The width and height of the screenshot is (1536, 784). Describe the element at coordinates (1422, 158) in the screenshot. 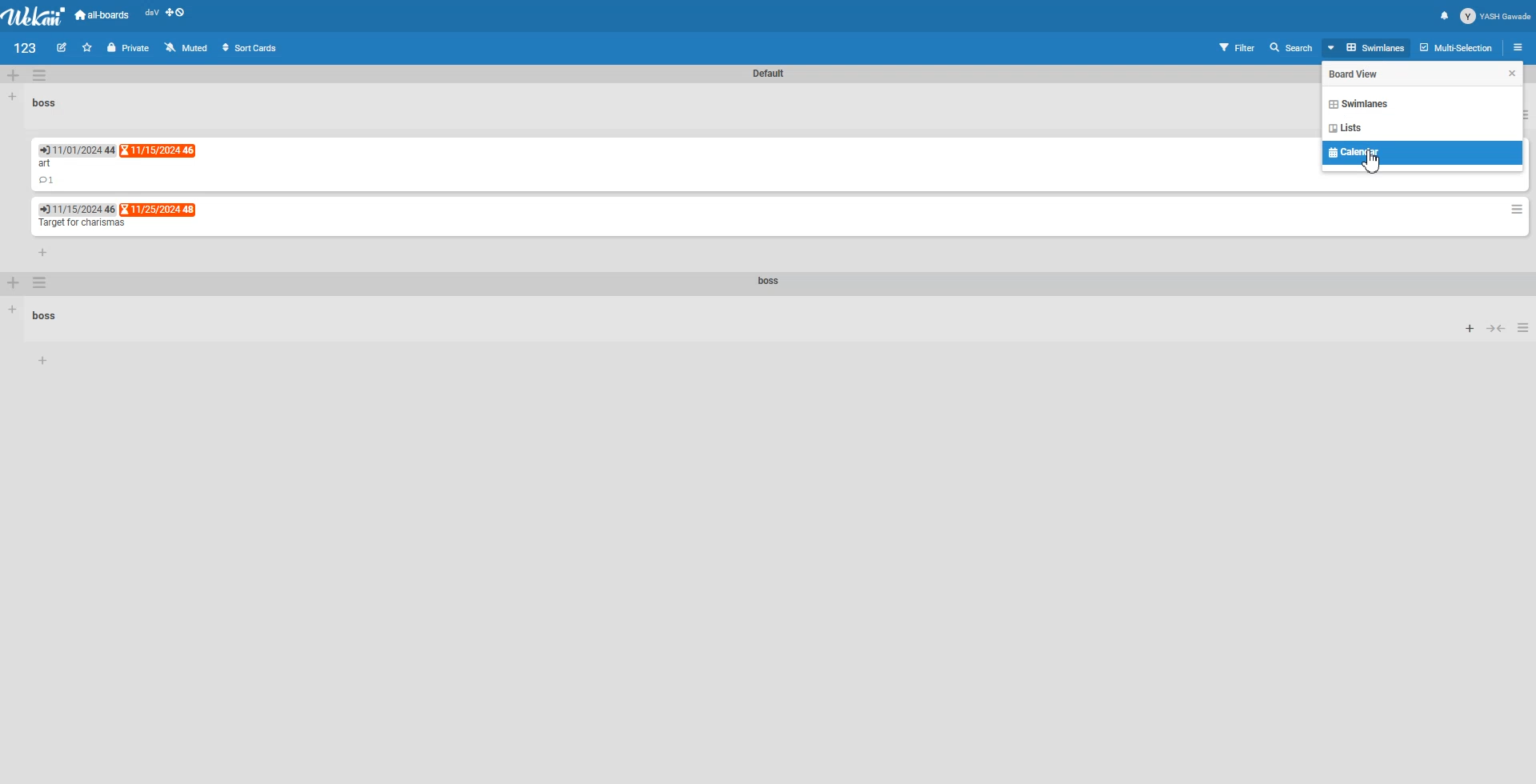

I see `Calendar` at that location.